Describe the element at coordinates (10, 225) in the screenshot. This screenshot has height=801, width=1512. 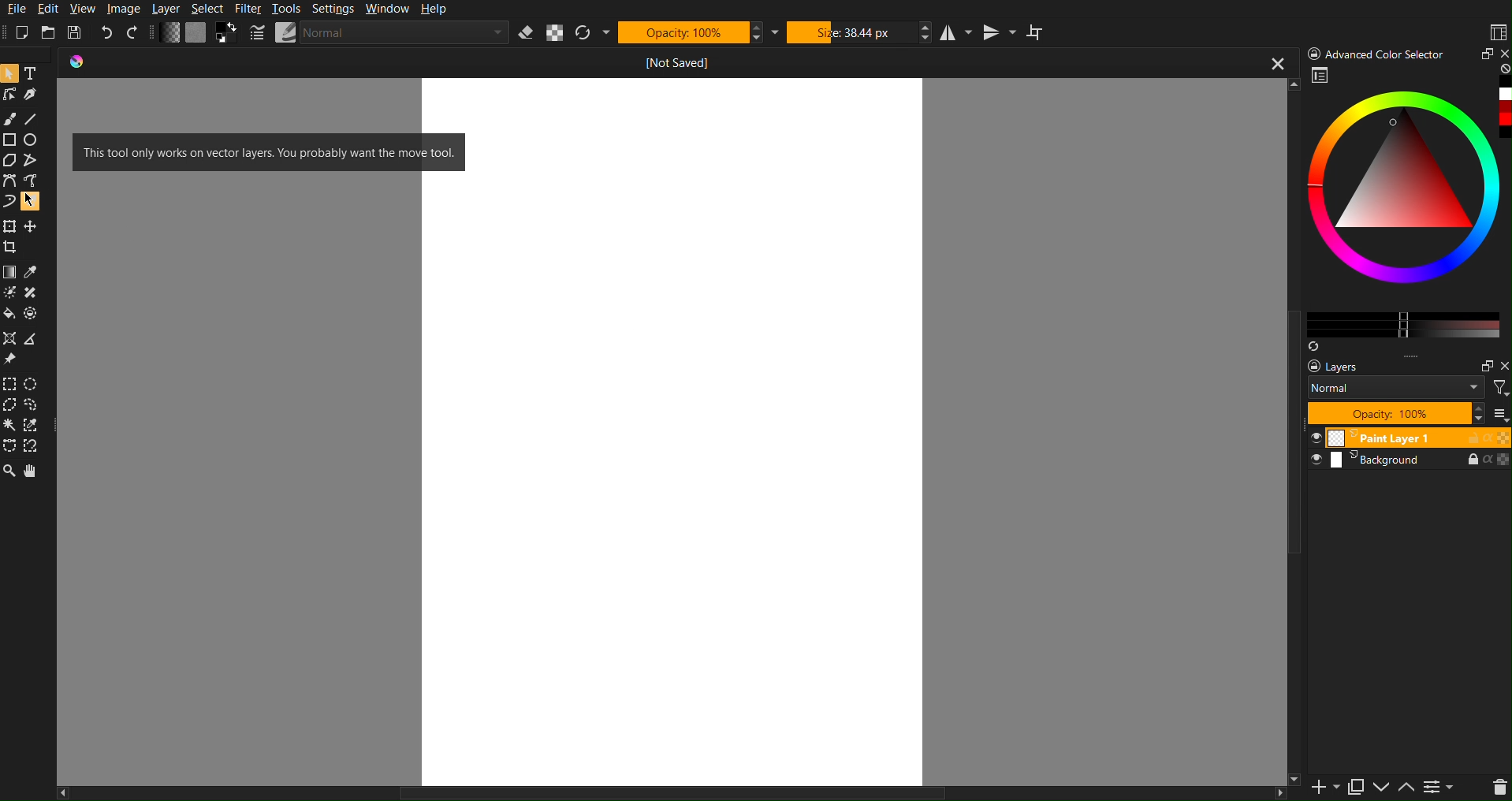
I see `Transform Tool` at that location.